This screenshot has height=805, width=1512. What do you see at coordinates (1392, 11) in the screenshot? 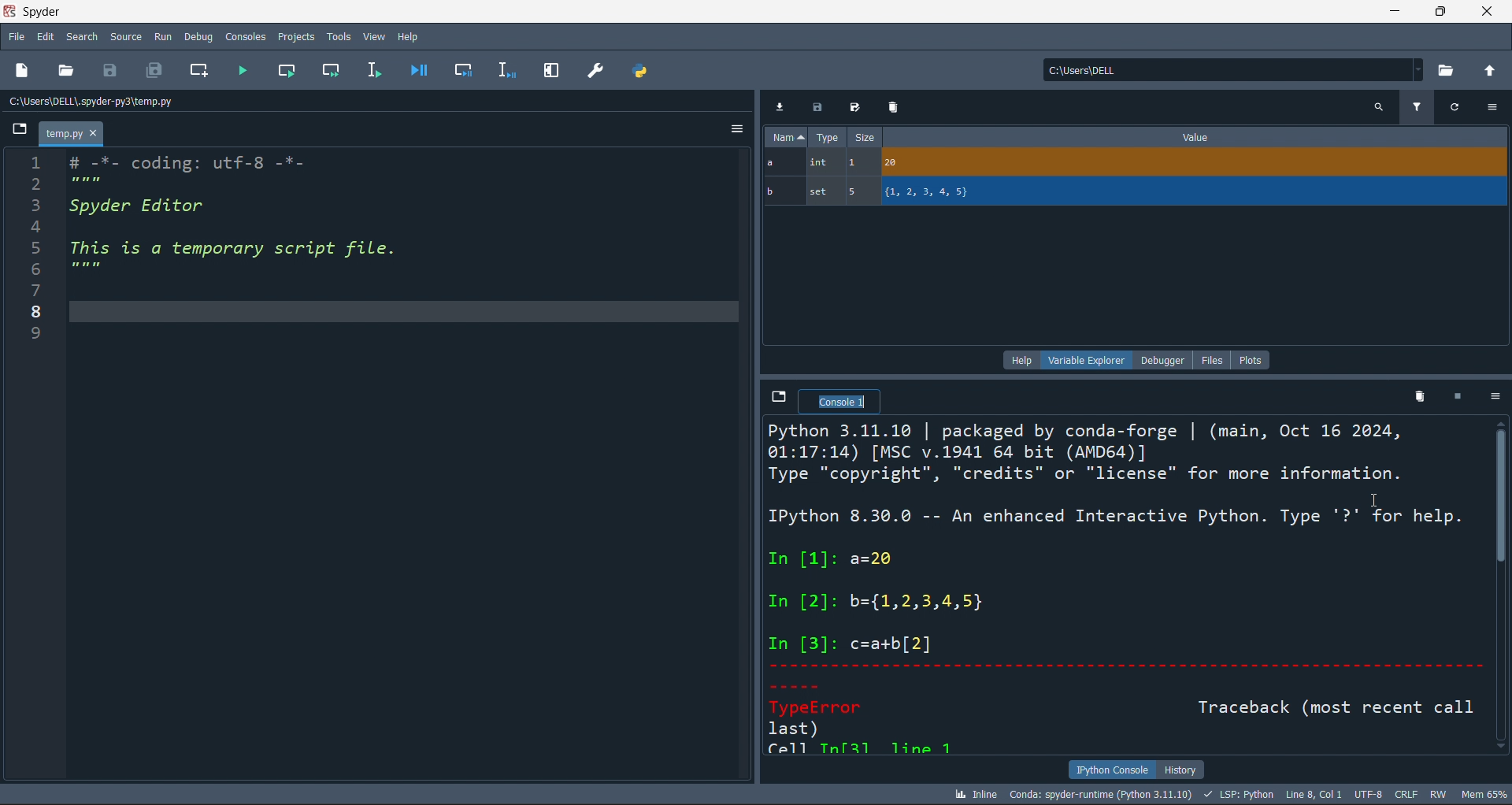
I see `minimize` at bounding box center [1392, 11].